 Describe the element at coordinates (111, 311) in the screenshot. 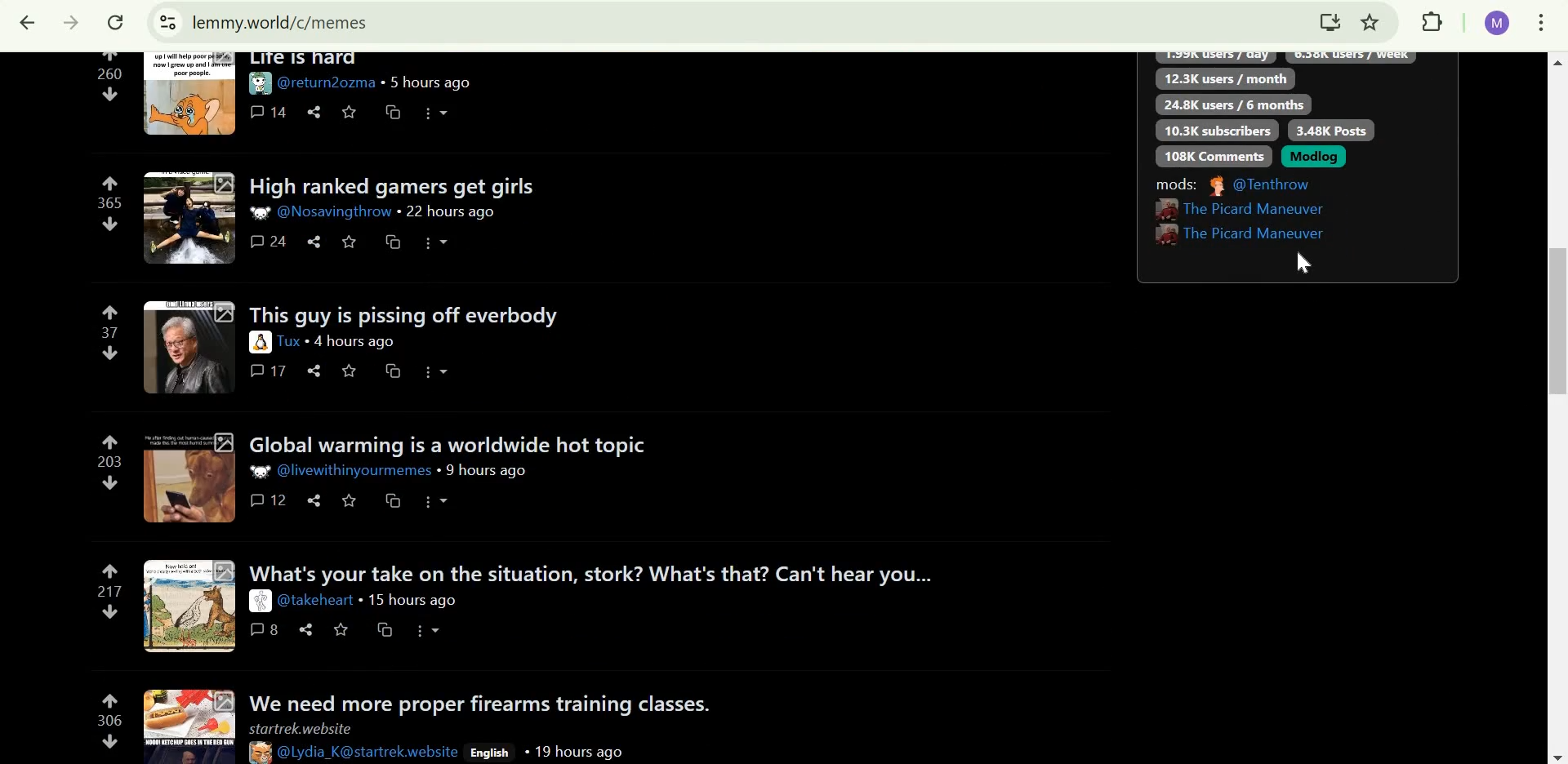

I see `upvote` at that location.